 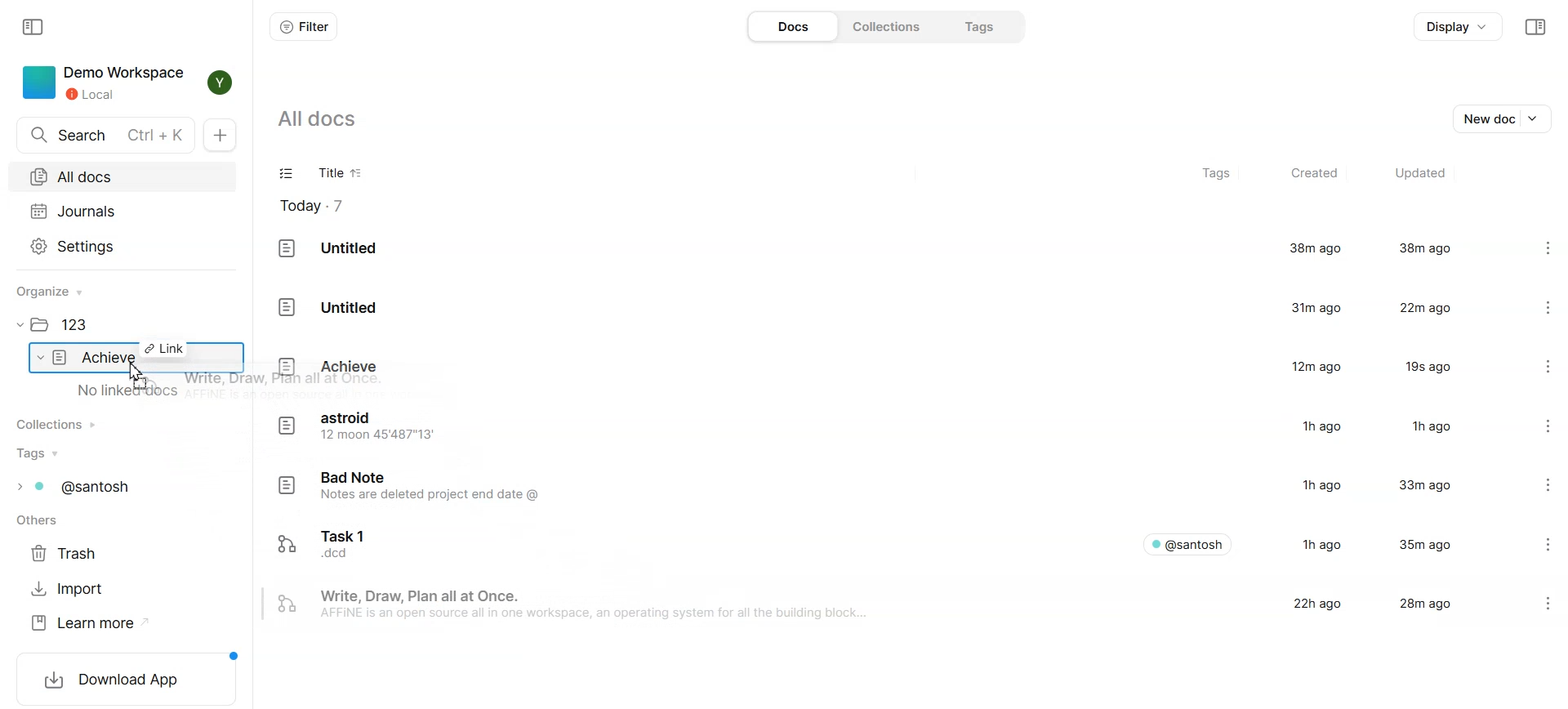 I want to click on Doc file, so click(x=878, y=488).